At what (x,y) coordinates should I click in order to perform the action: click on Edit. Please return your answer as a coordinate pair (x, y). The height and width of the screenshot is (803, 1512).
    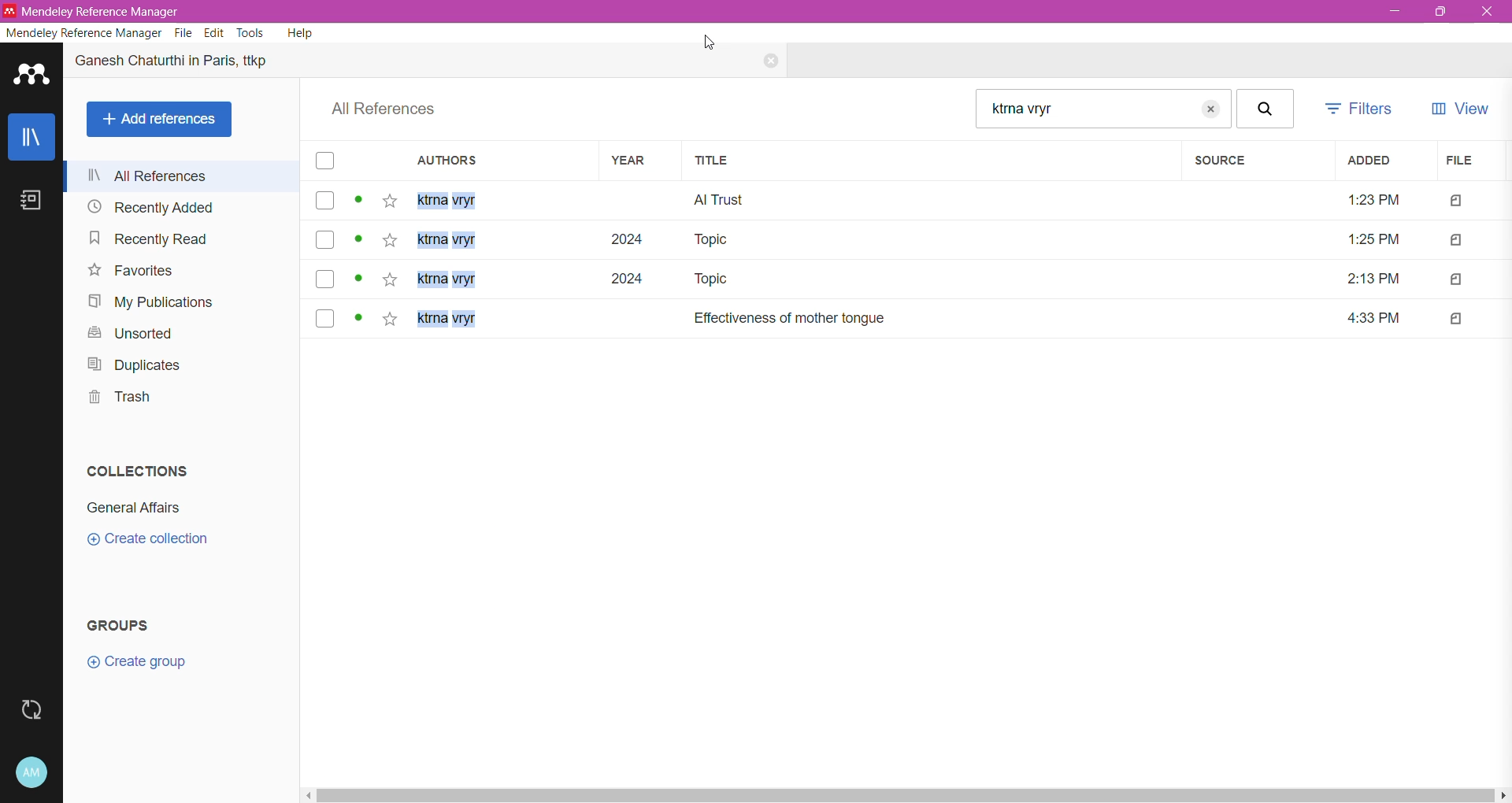
    Looking at the image, I should click on (213, 33).